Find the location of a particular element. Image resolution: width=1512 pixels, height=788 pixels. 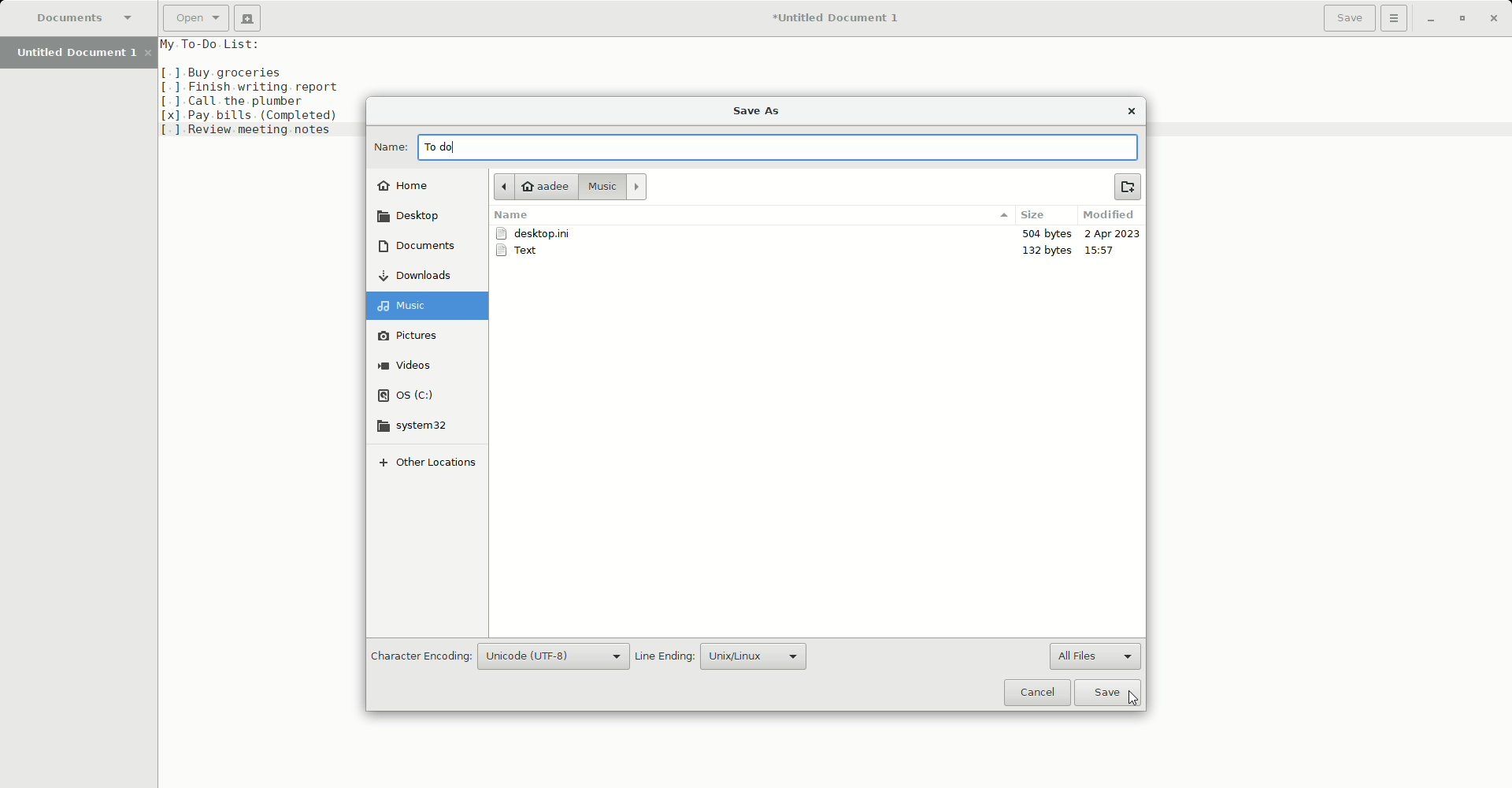

Close is located at coordinates (1494, 18).